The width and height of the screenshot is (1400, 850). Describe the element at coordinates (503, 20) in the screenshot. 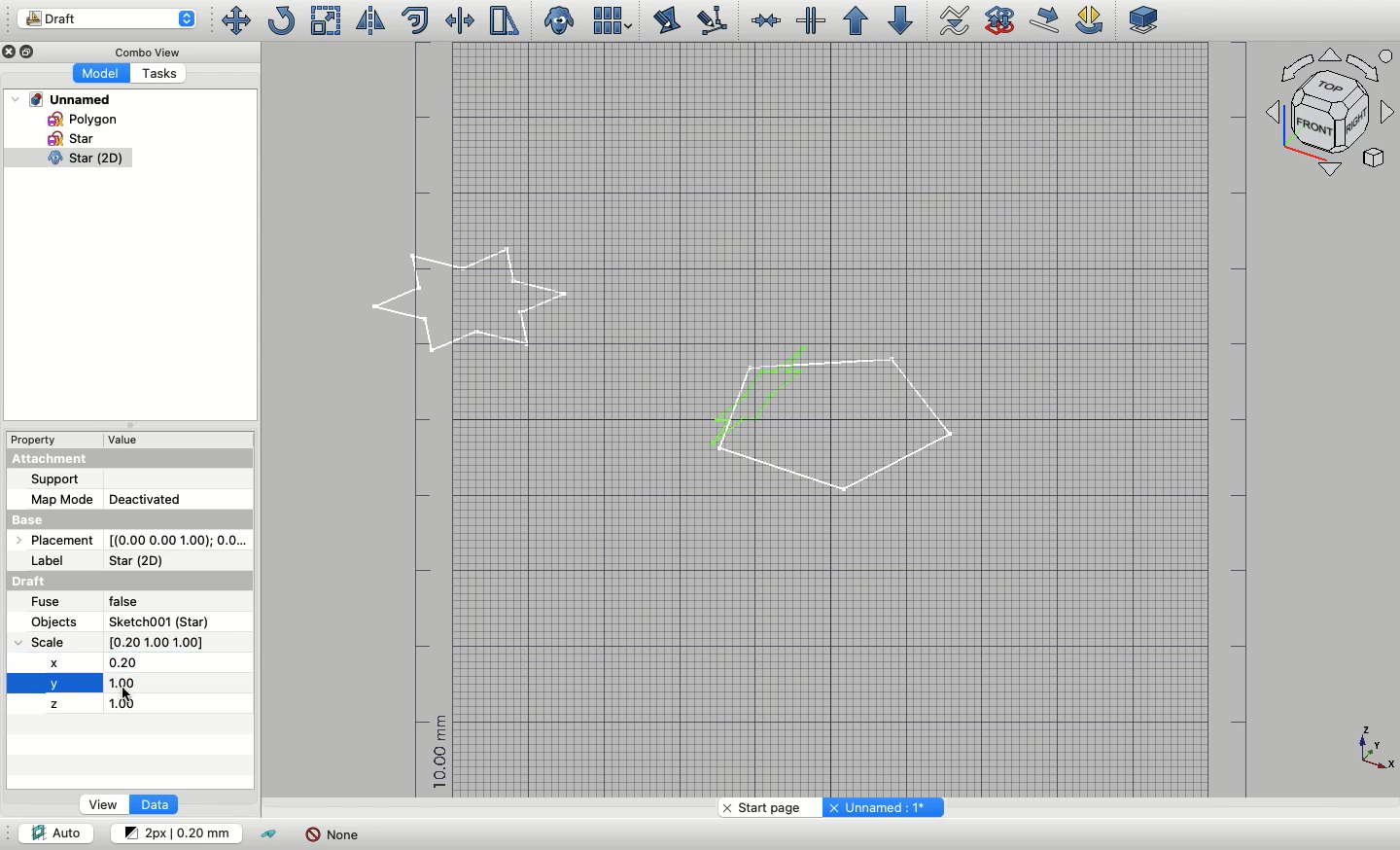

I see `Stretch` at that location.